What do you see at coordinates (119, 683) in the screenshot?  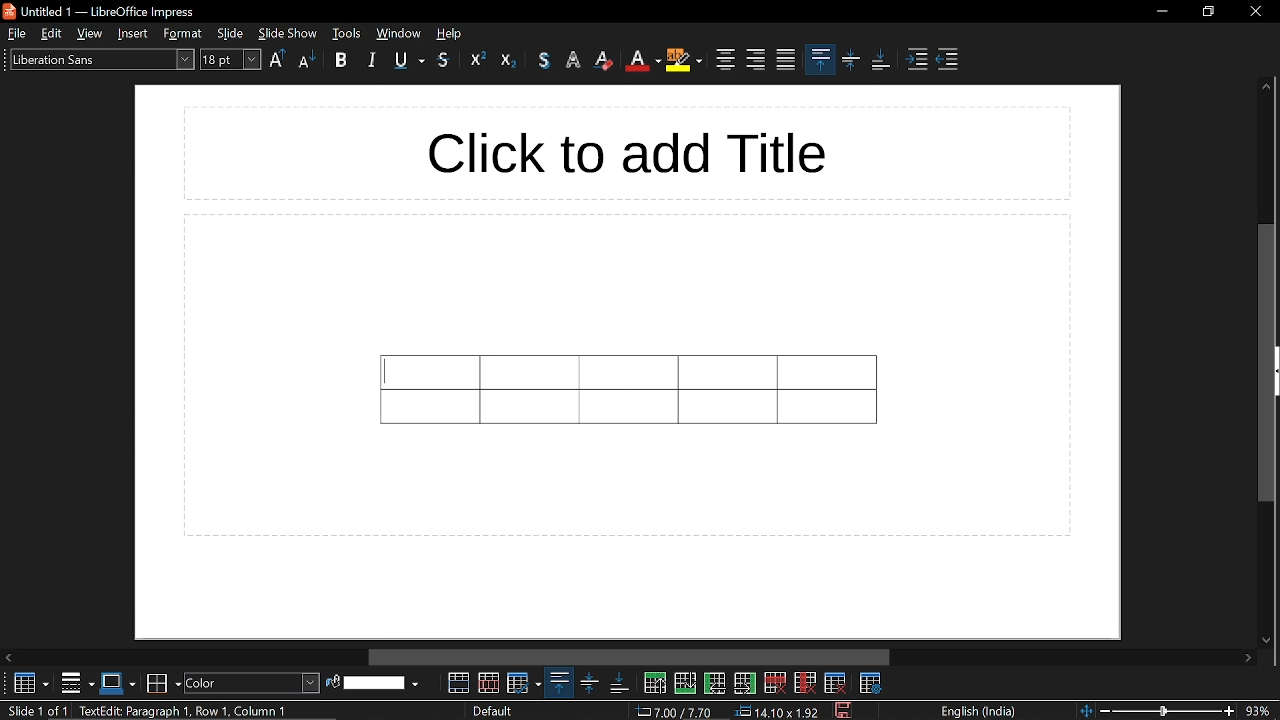 I see `border style` at bounding box center [119, 683].